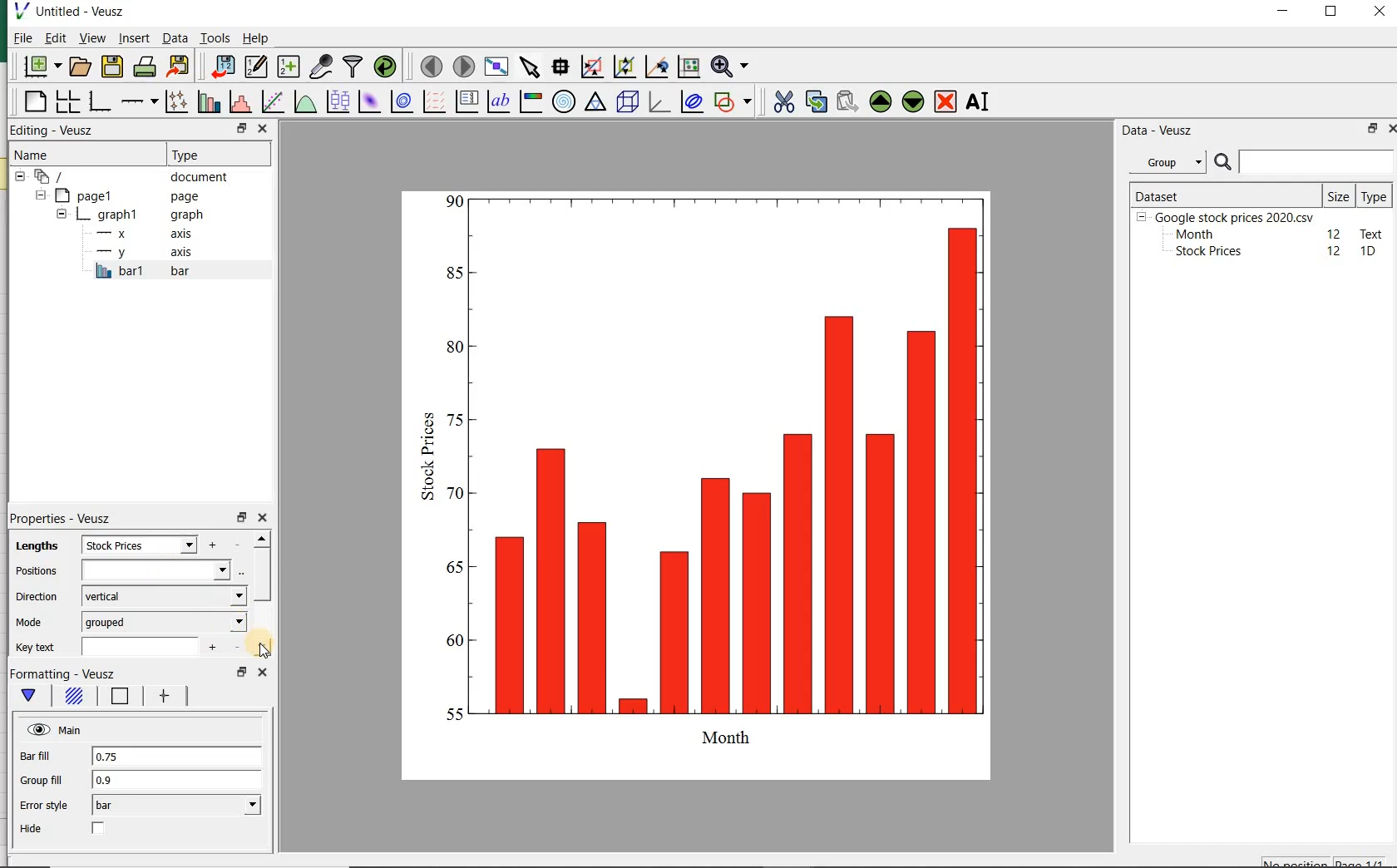 Image resolution: width=1397 pixels, height=868 pixels. Describe the element at coordinates (141, 253) in the screenshot. I see `y-axis` at that location.